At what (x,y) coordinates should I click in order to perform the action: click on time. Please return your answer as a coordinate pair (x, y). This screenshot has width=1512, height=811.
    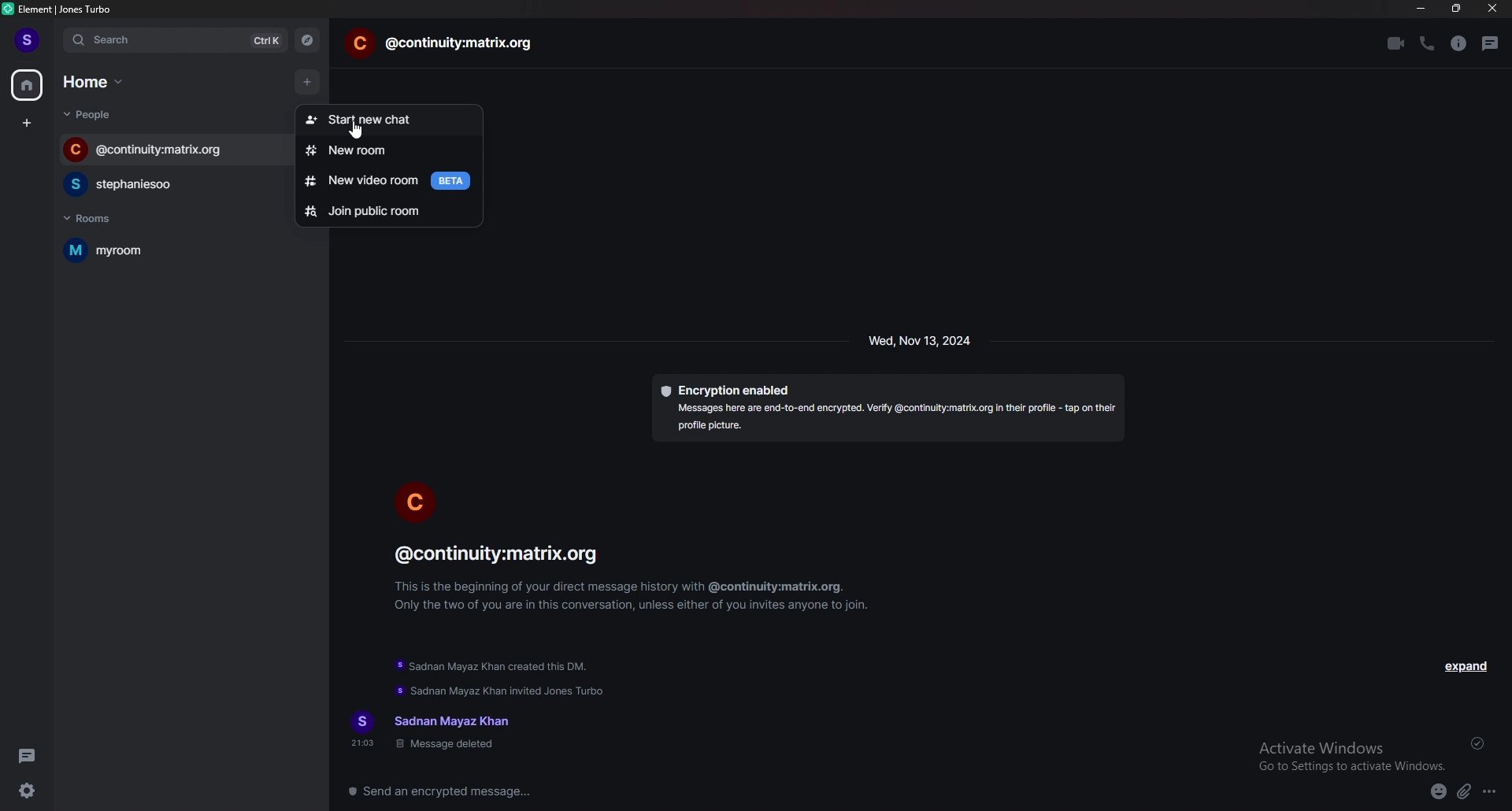
    Looking at the image, I should click on (921, 340).